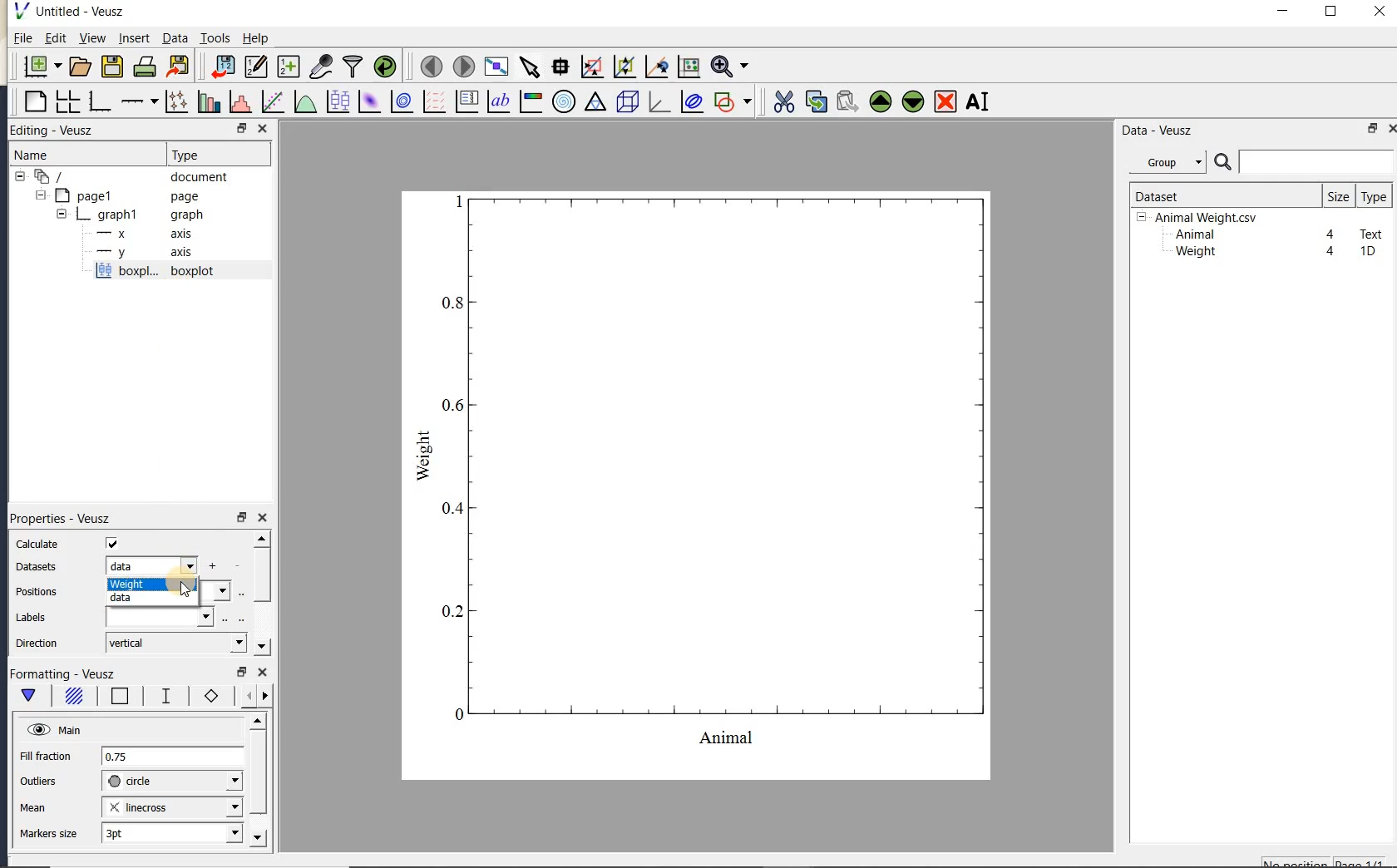  I want to click on image color bar, so click(531, 101).